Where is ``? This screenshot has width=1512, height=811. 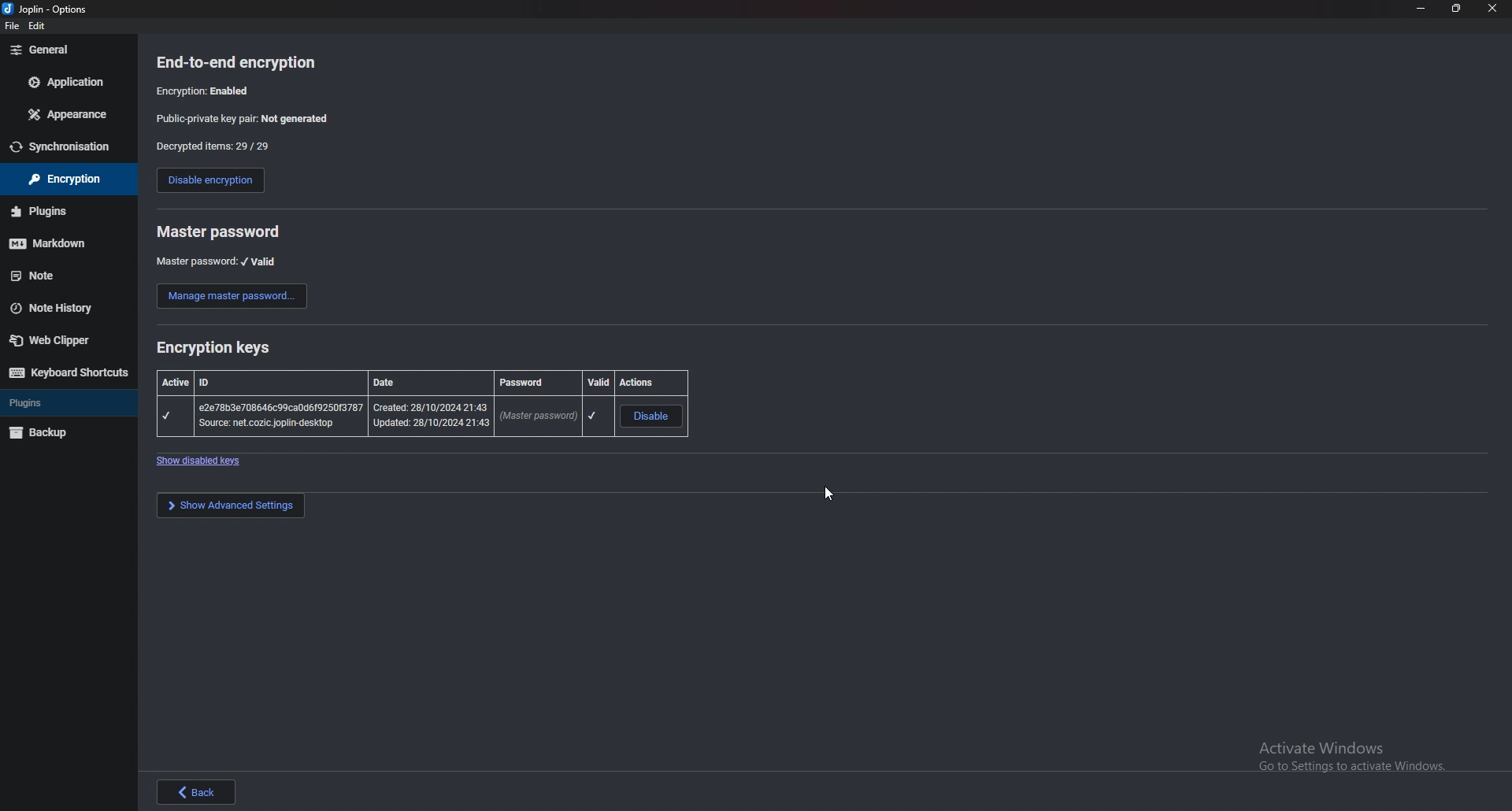  is located at coordinates (50, 309).